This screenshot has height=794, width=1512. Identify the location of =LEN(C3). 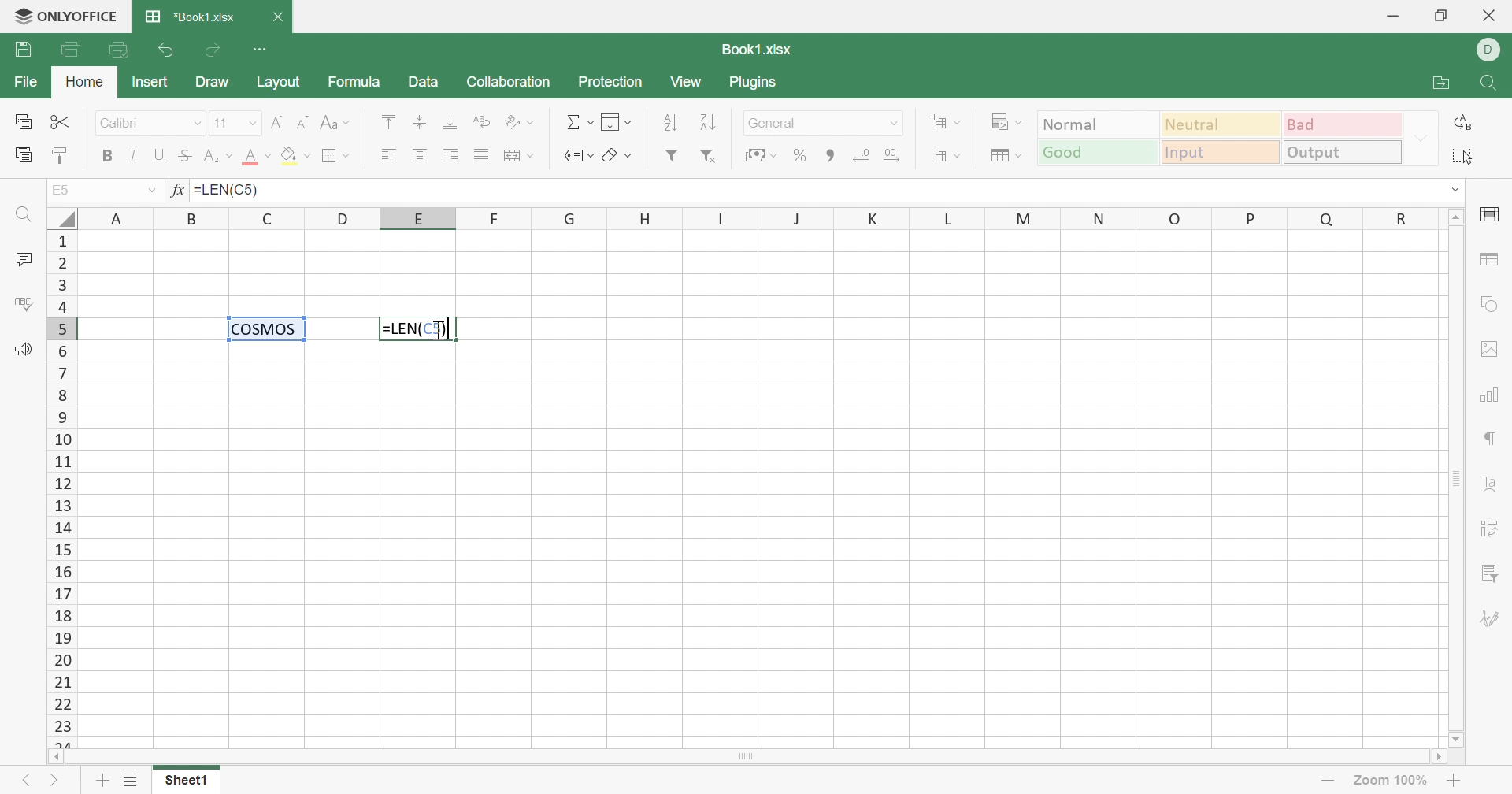
(228, 189).